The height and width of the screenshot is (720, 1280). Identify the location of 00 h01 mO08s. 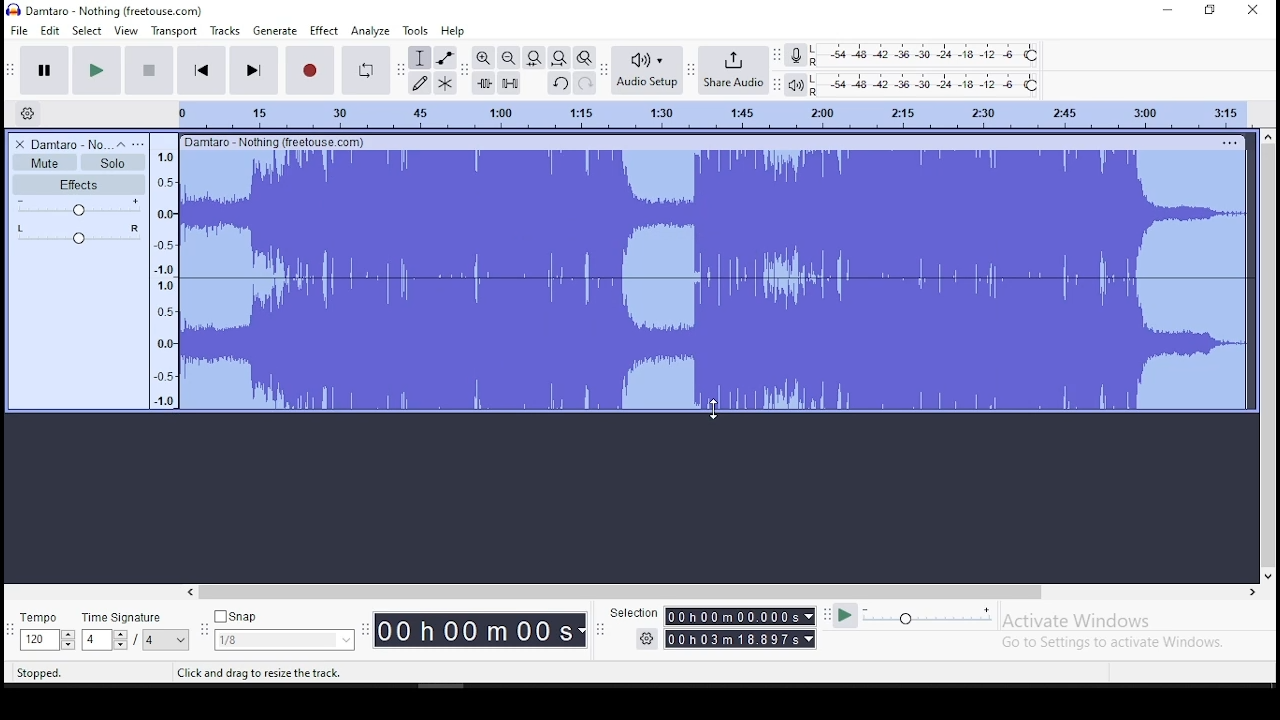
(473, 631).